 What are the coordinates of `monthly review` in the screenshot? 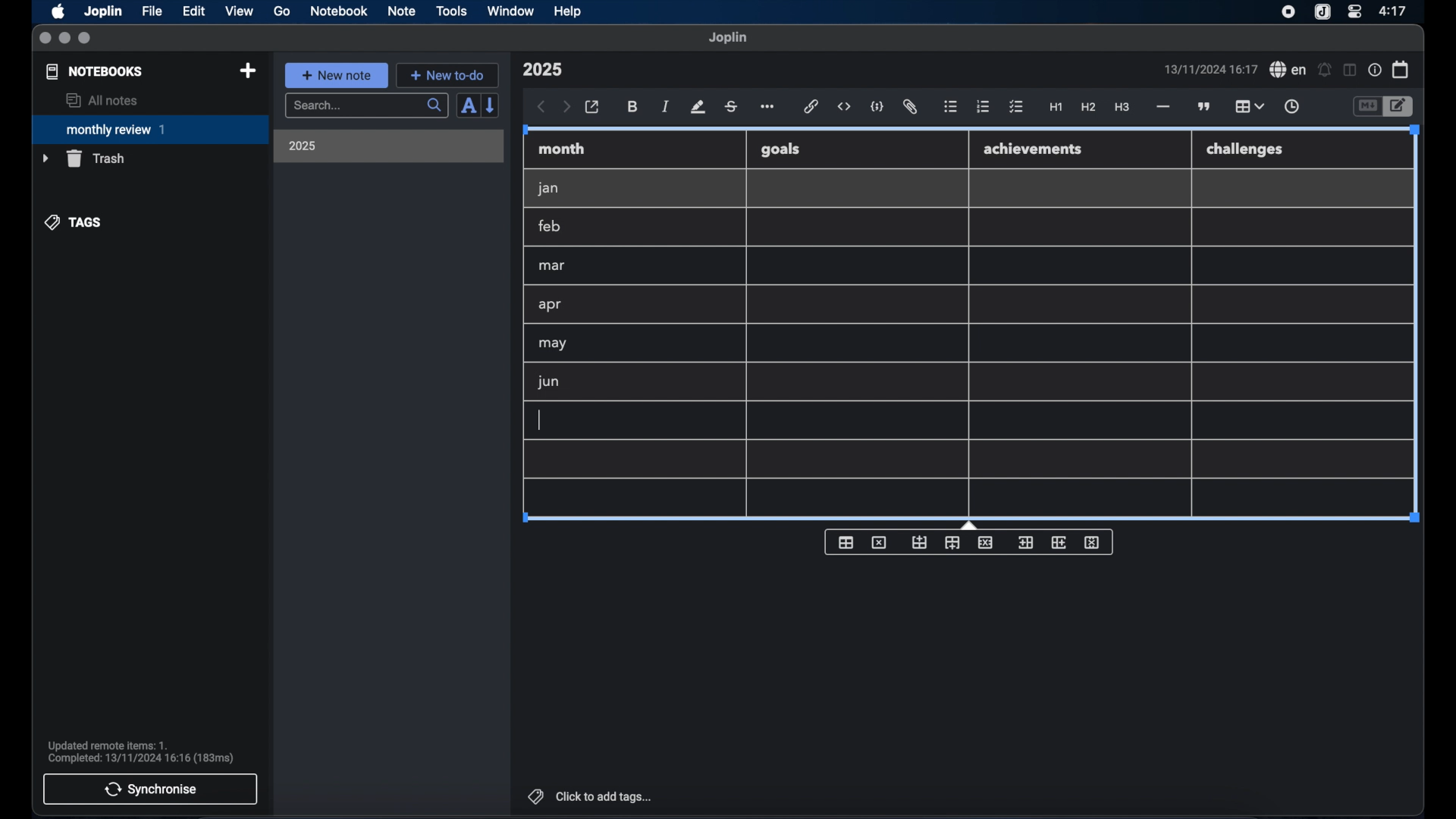 It's located at (150, 128).